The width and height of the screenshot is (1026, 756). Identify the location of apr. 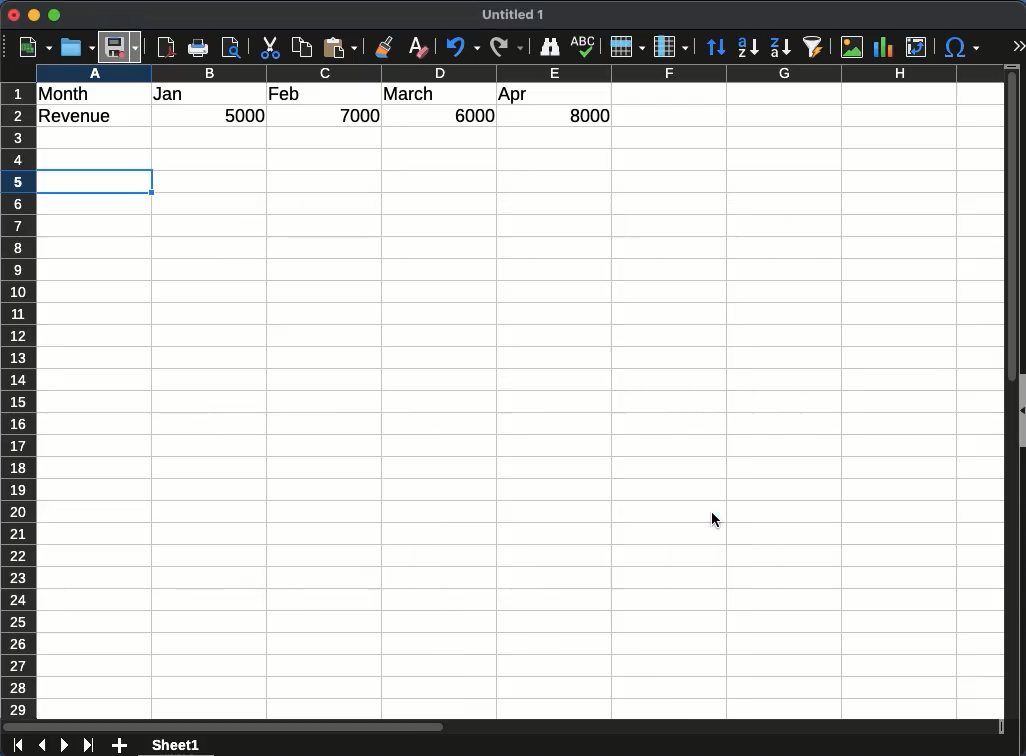
(514, 96).